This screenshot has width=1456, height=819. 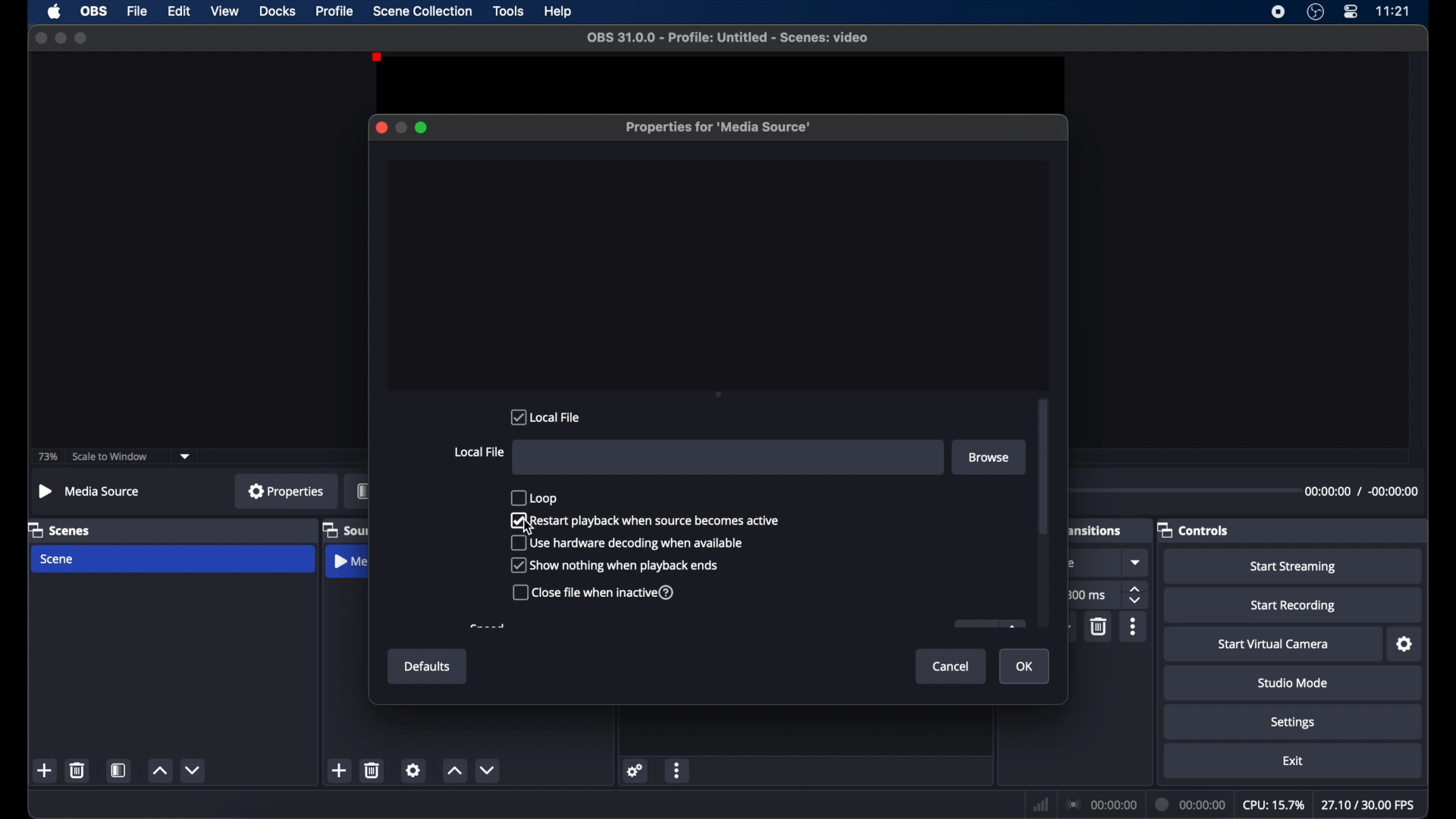 What do you see at coordinates (178, 12) in the screenshot?
I see `edit` at bounding box center [178, 12].